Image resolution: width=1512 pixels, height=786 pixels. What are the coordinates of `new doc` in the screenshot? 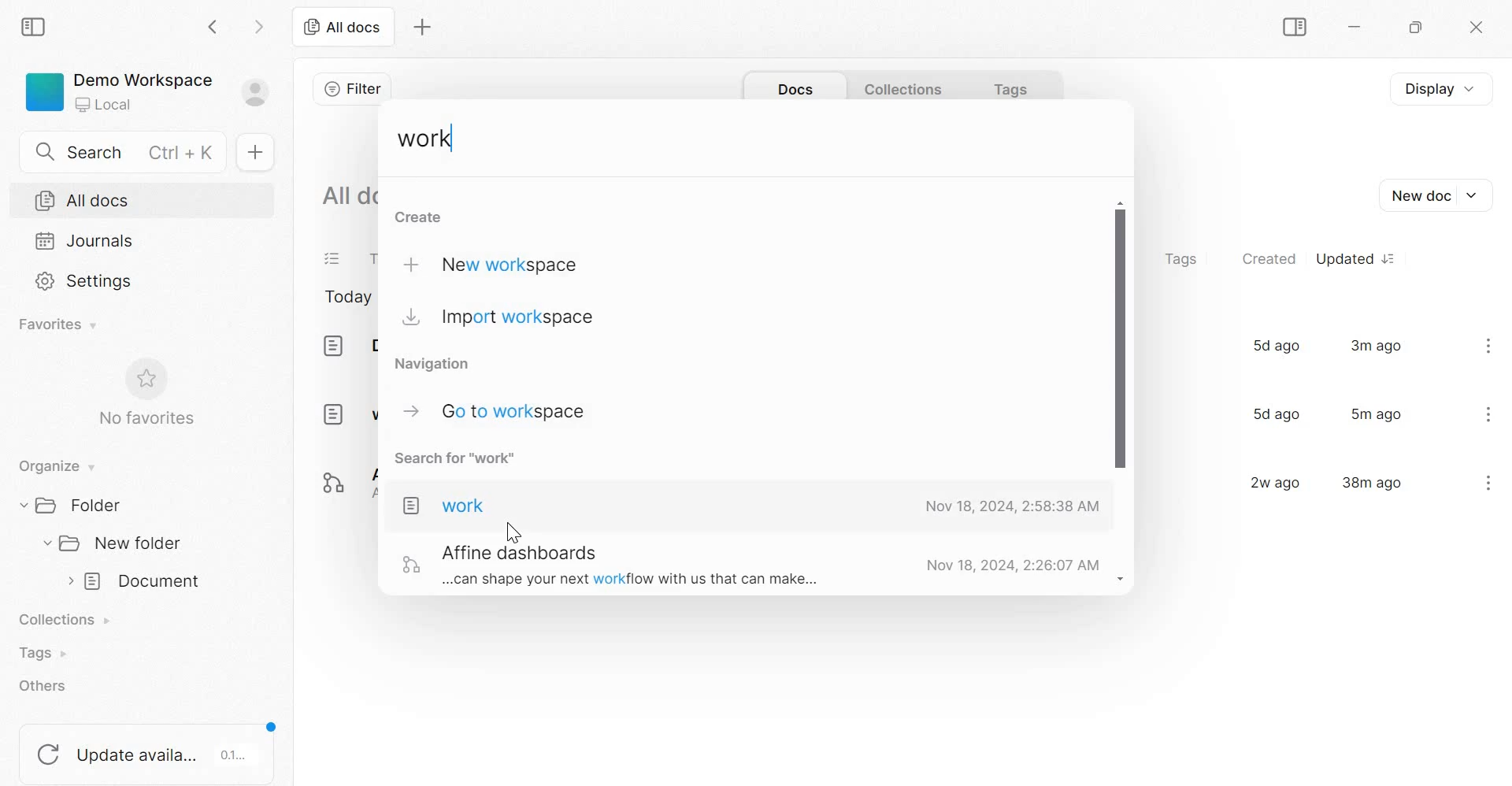 It's located at (254, 151).